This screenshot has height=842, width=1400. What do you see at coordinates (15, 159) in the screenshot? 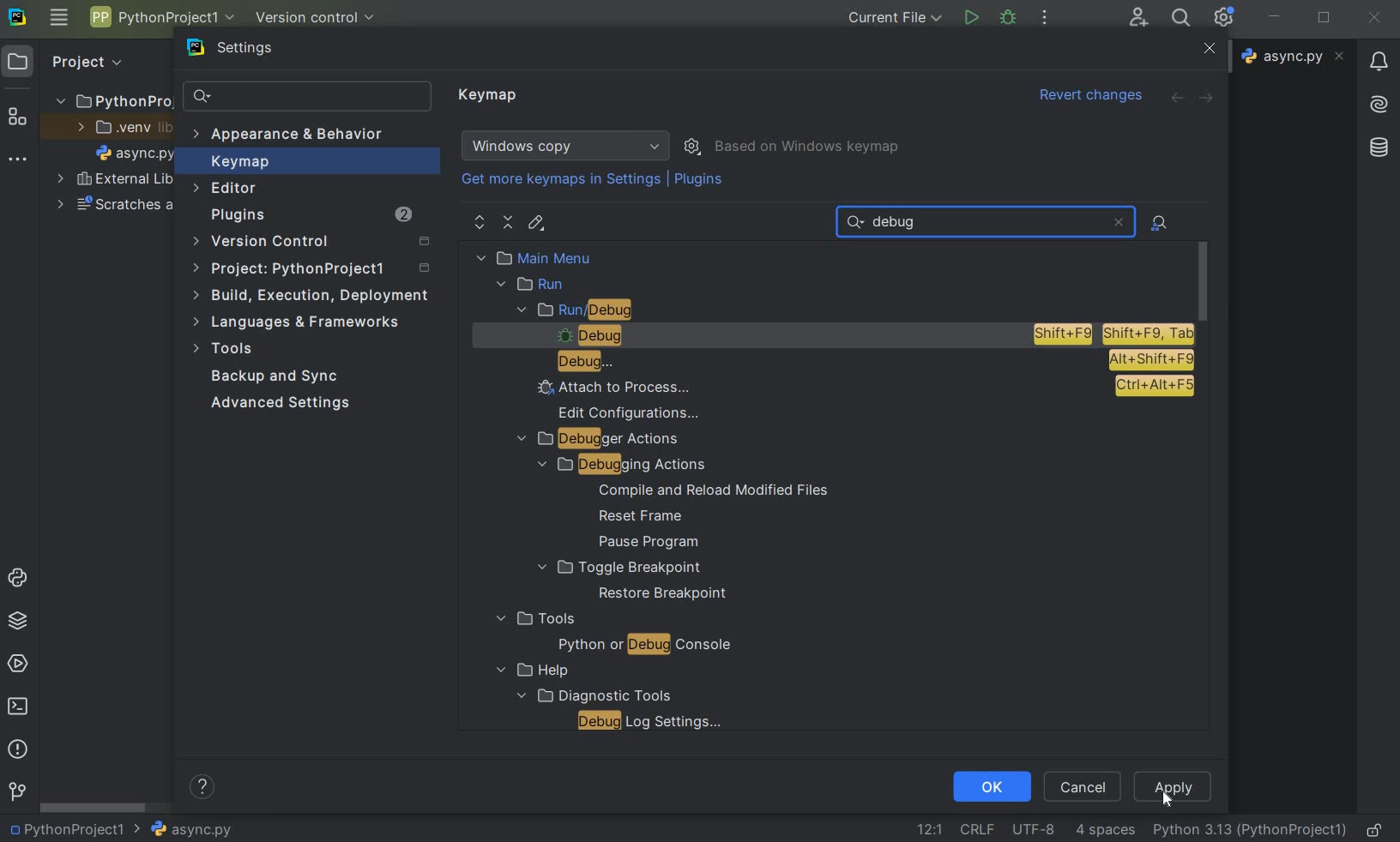
I see `more tool windows` at bounding box center [15, 159].